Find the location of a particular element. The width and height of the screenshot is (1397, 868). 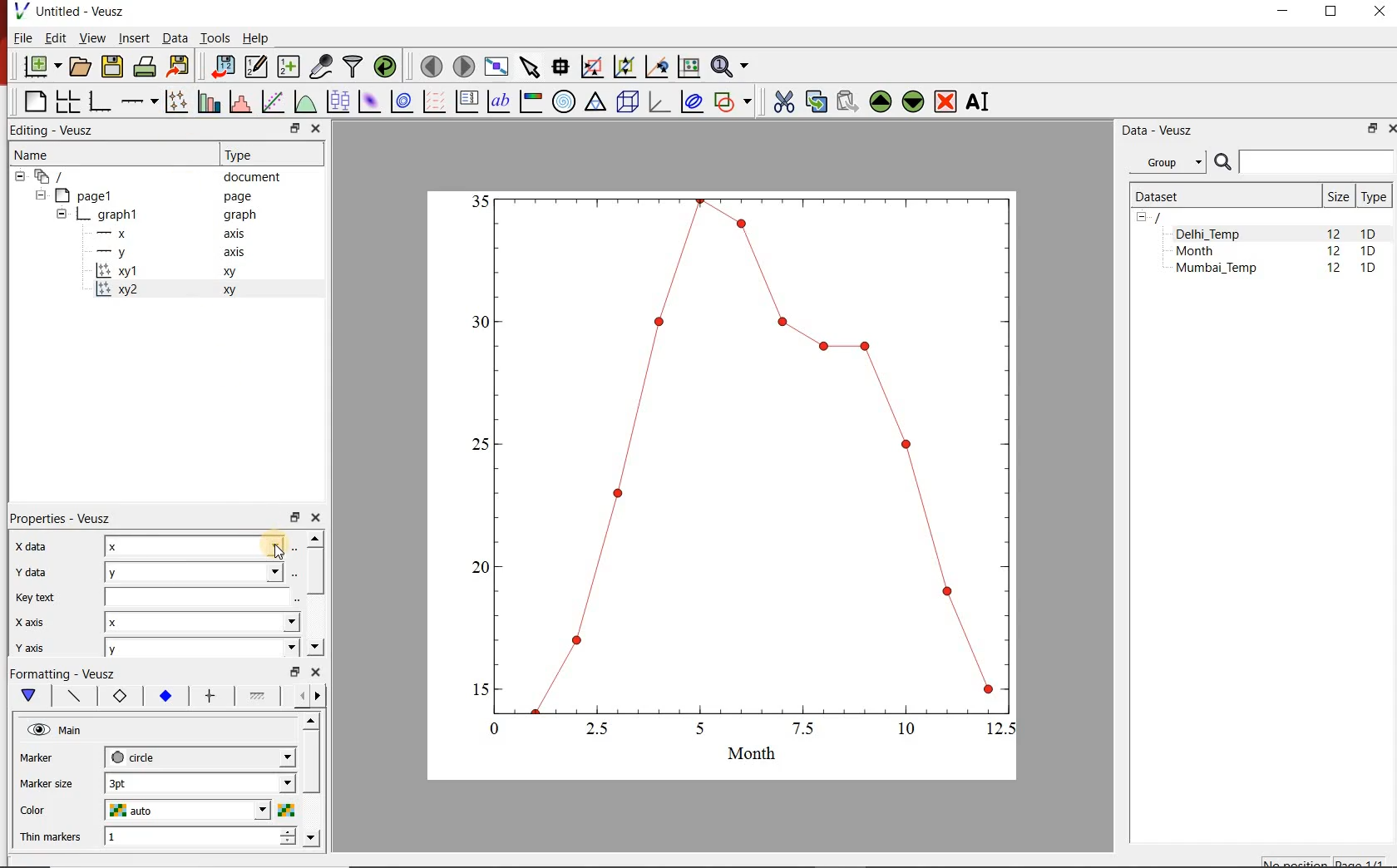

Data - Veusz is located at coordinates (1160, 131).